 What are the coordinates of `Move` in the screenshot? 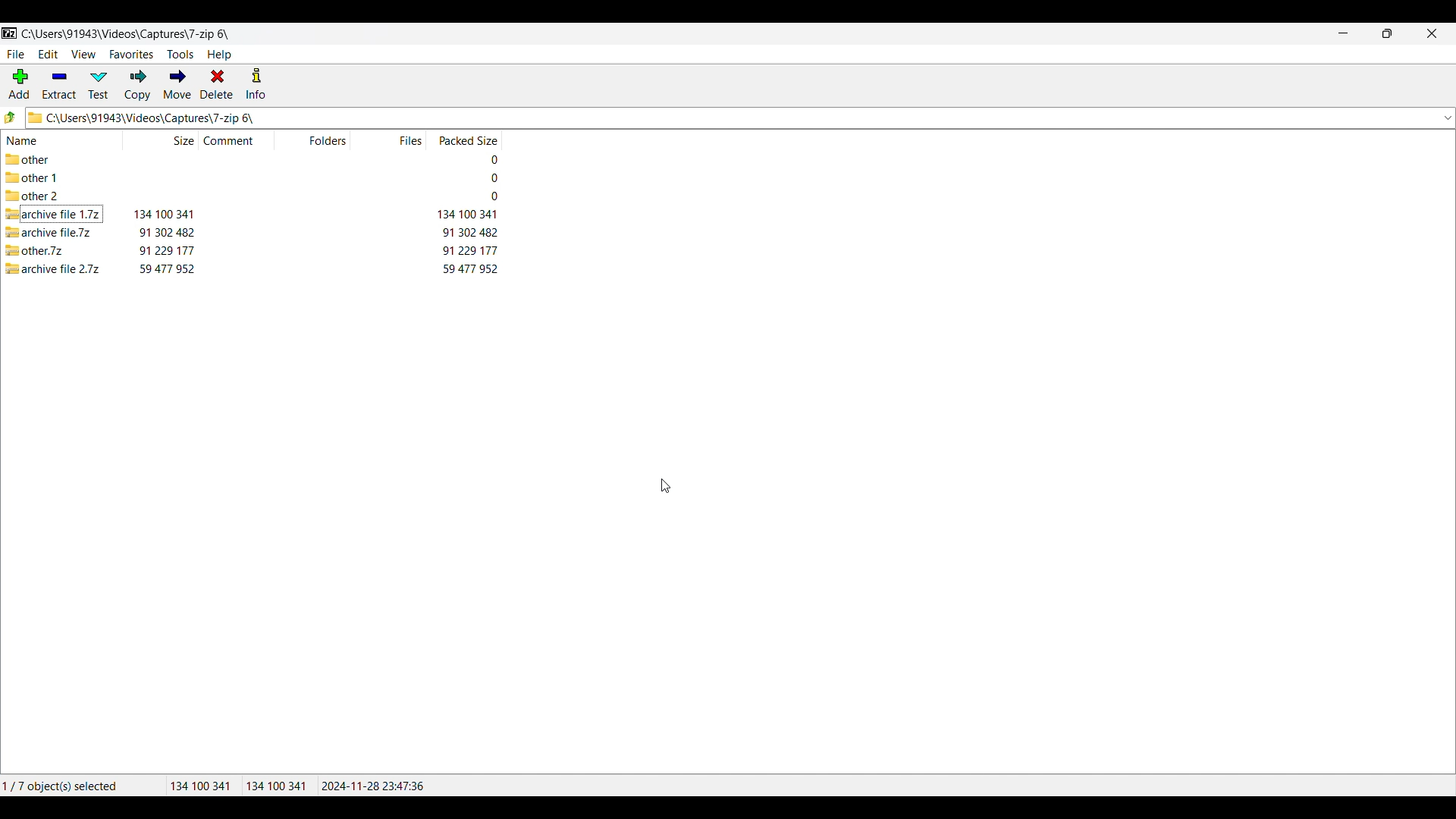 It's located at (177, 84).